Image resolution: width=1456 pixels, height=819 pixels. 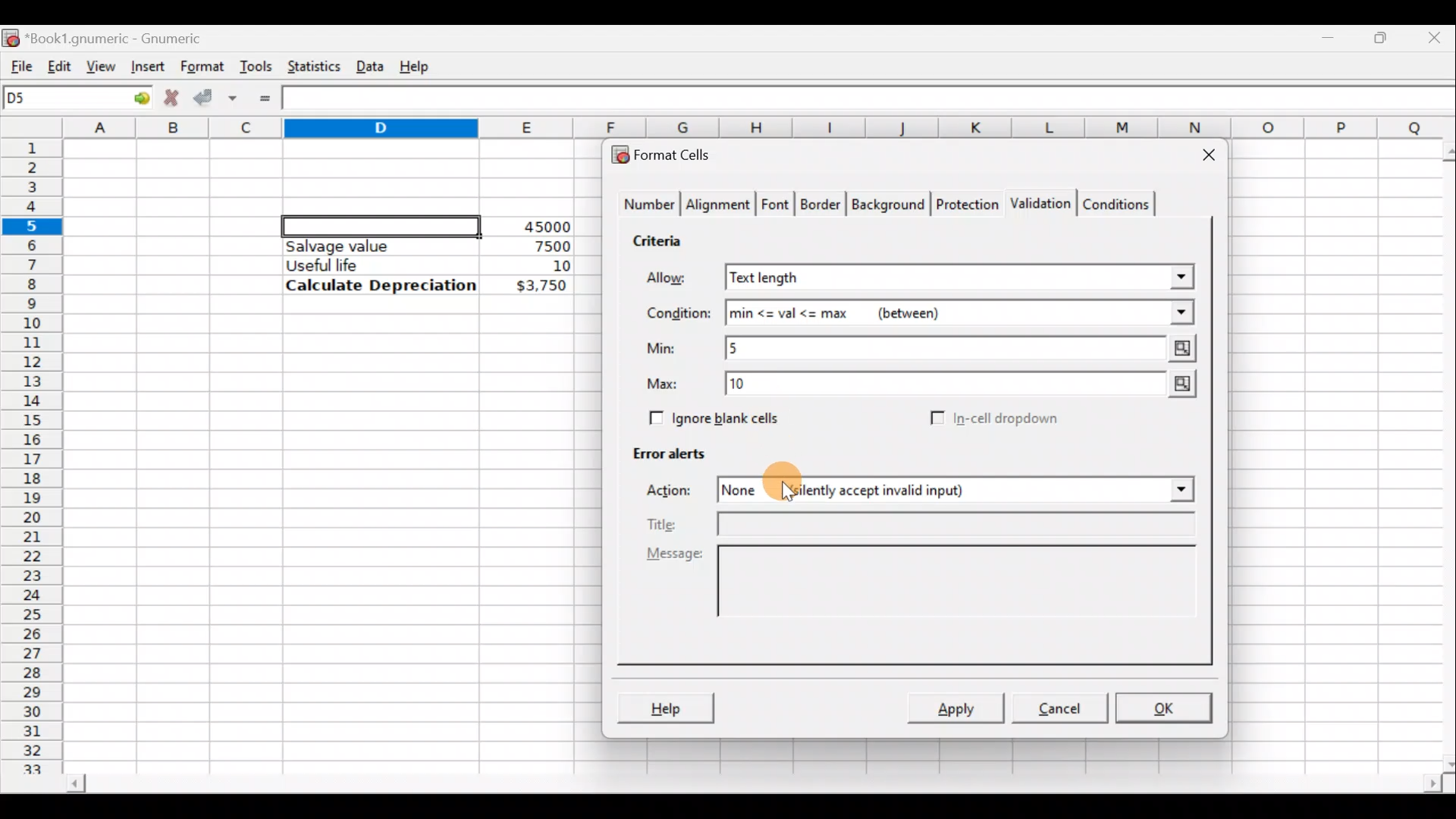 What do you see at coordinates (905, 489) in the screenshot?
I see `None (silently accept invalid input)` at bounding box center [905, 489].